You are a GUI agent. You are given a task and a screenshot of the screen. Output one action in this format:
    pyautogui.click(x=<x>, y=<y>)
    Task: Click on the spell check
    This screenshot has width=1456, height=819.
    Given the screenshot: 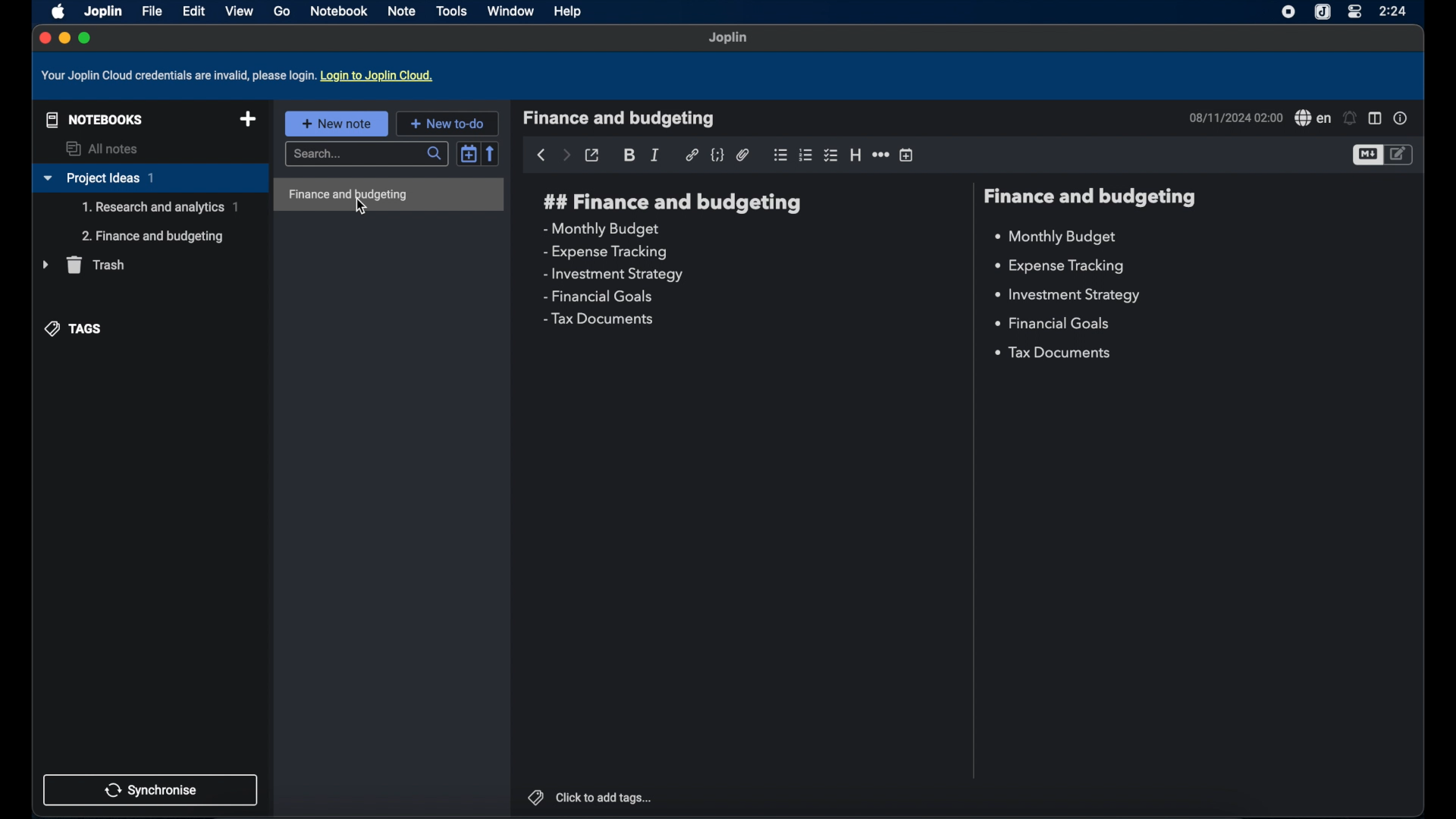 What is the action you would take?
    pyautogui.click(x=1312, y=118)
    